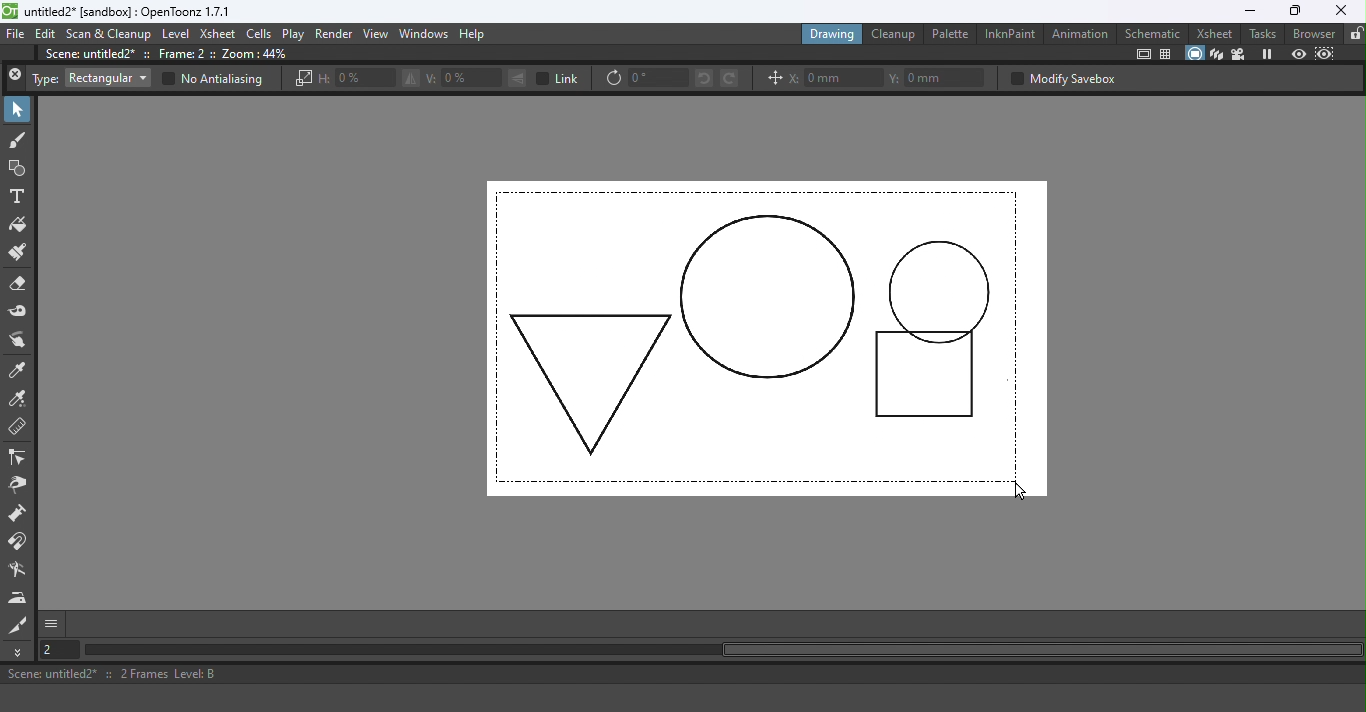 This screenshot has width=1366, height=712. What do you see at coordinates (109, 35) in the screenshot?
I see `Scan & Cleanup` at bounding box center [109, 35].